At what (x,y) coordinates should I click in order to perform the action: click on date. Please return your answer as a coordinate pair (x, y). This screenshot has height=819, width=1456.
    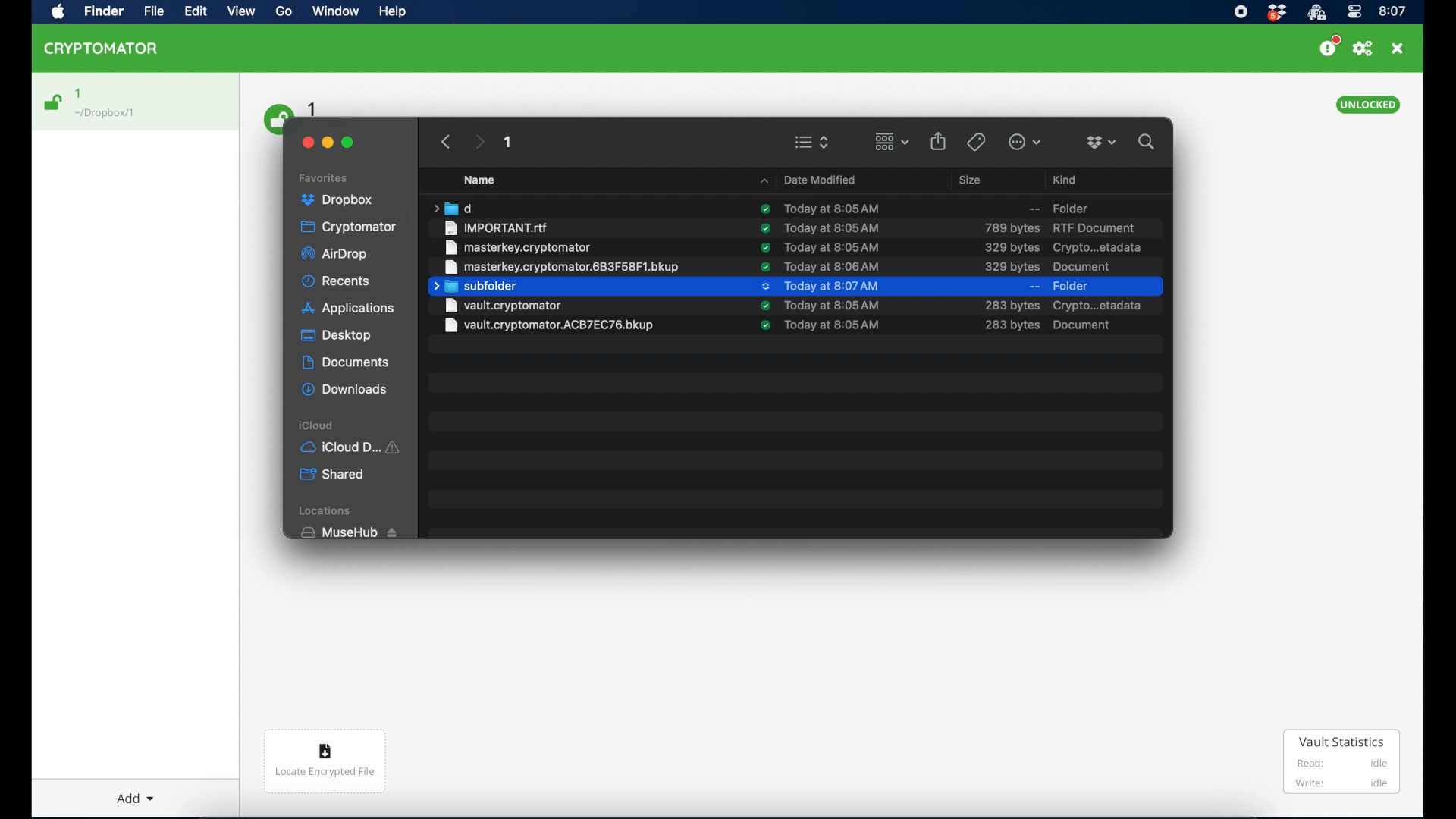
    Looking at the image, I should click on (833, 247).